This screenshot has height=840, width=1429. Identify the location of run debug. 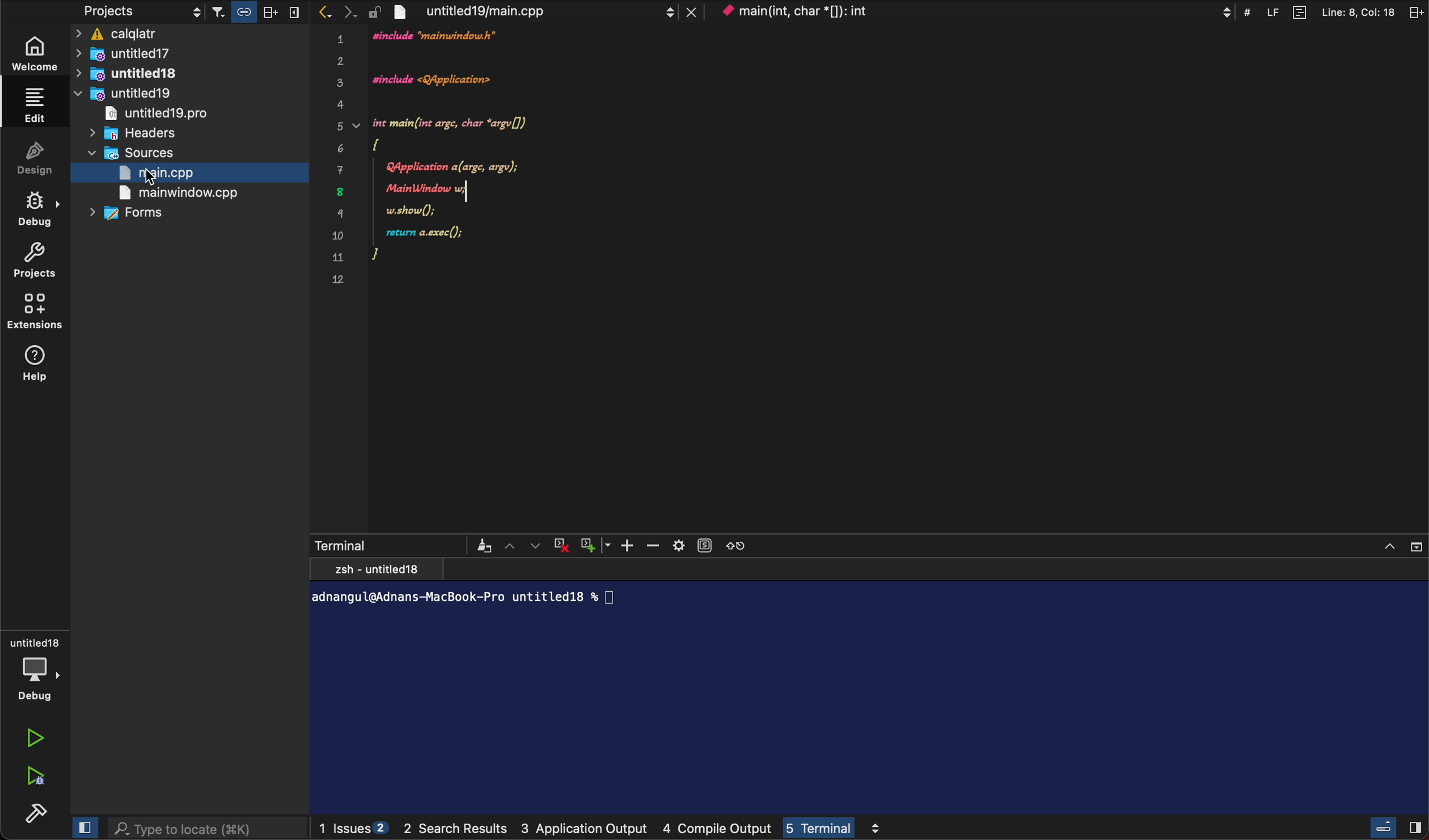
(33, 778).